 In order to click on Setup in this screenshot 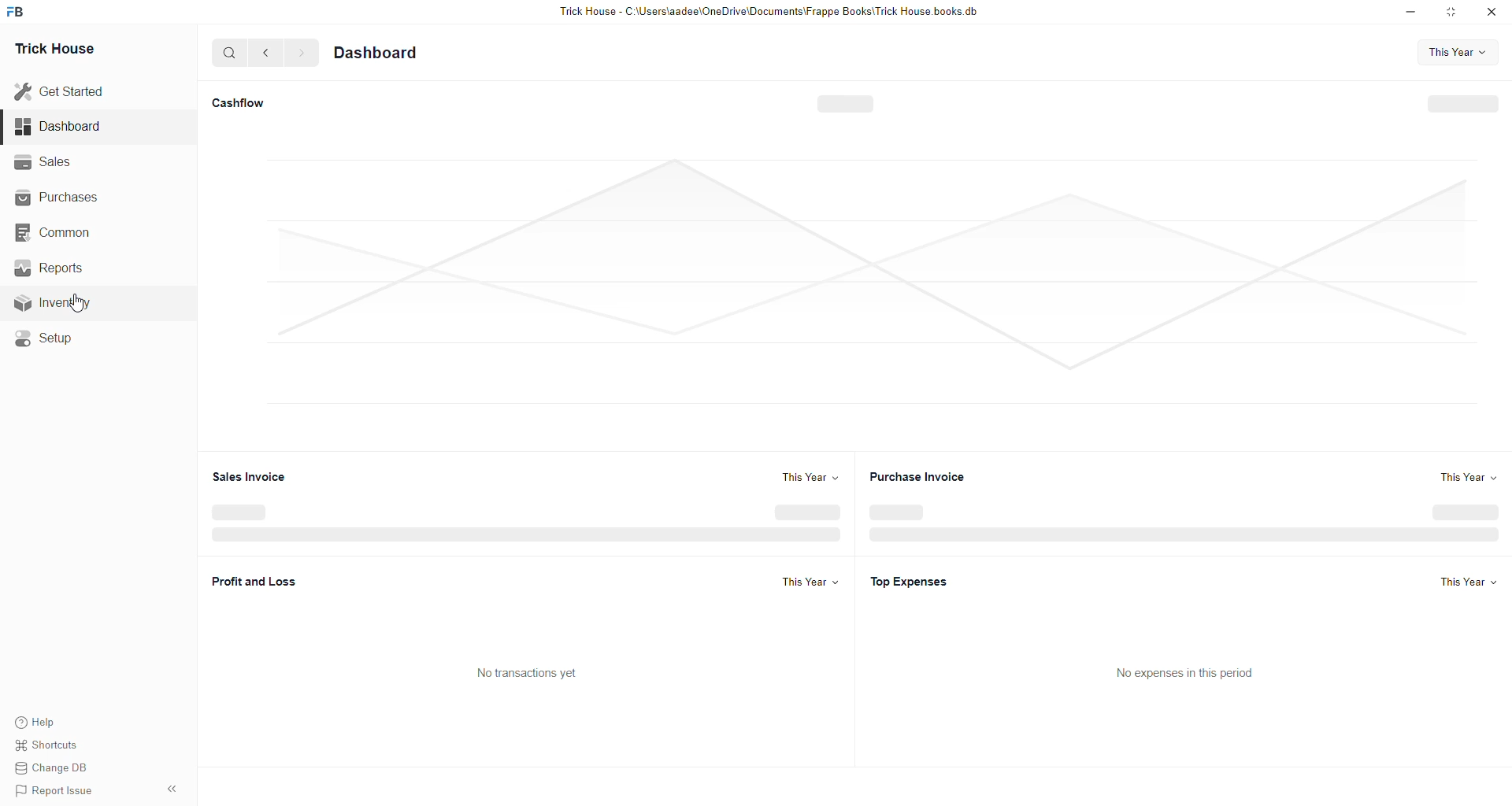, I will do `click(57, 342)`.